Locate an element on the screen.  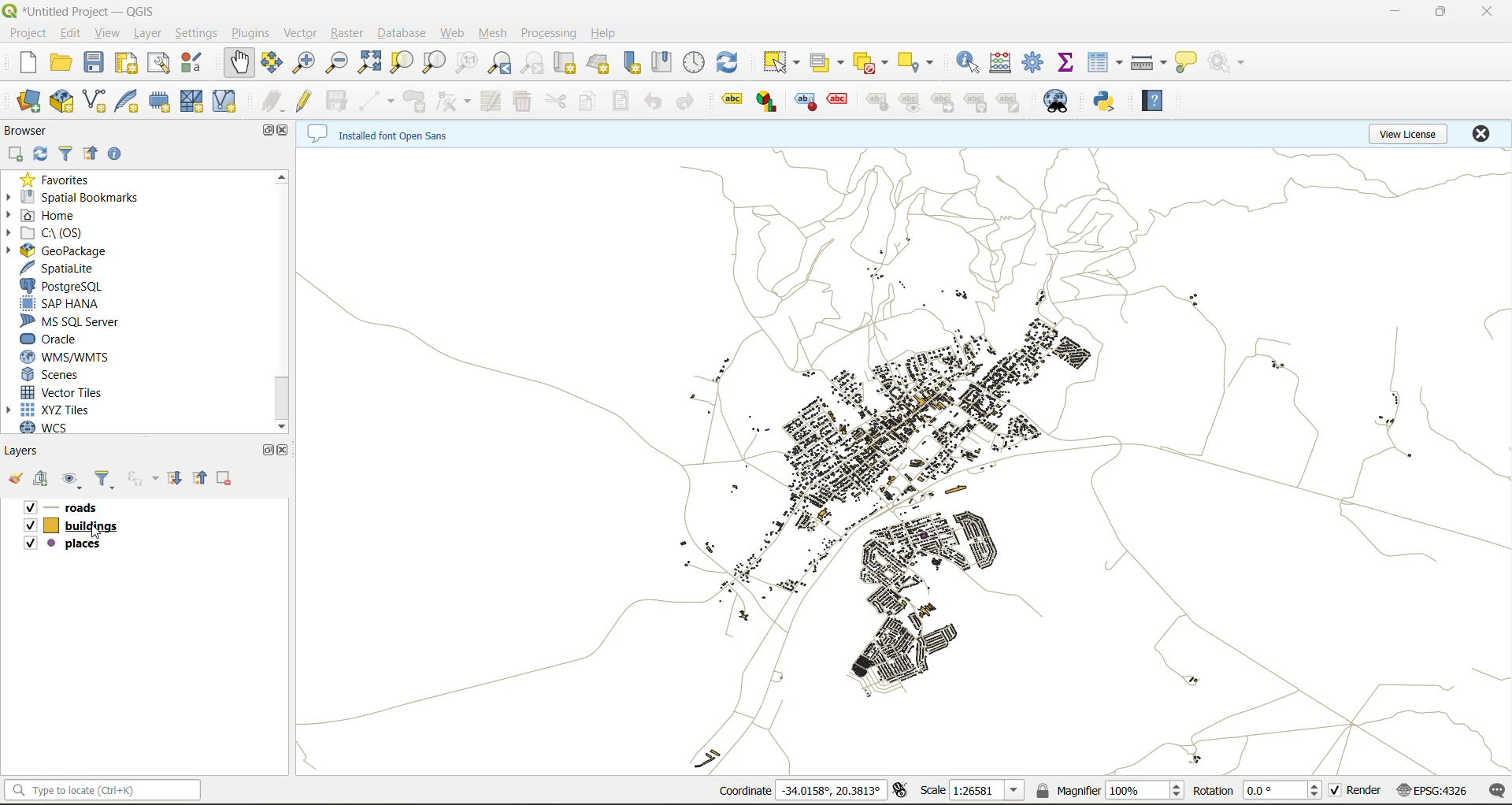
database is located at coordinates (400, 35).